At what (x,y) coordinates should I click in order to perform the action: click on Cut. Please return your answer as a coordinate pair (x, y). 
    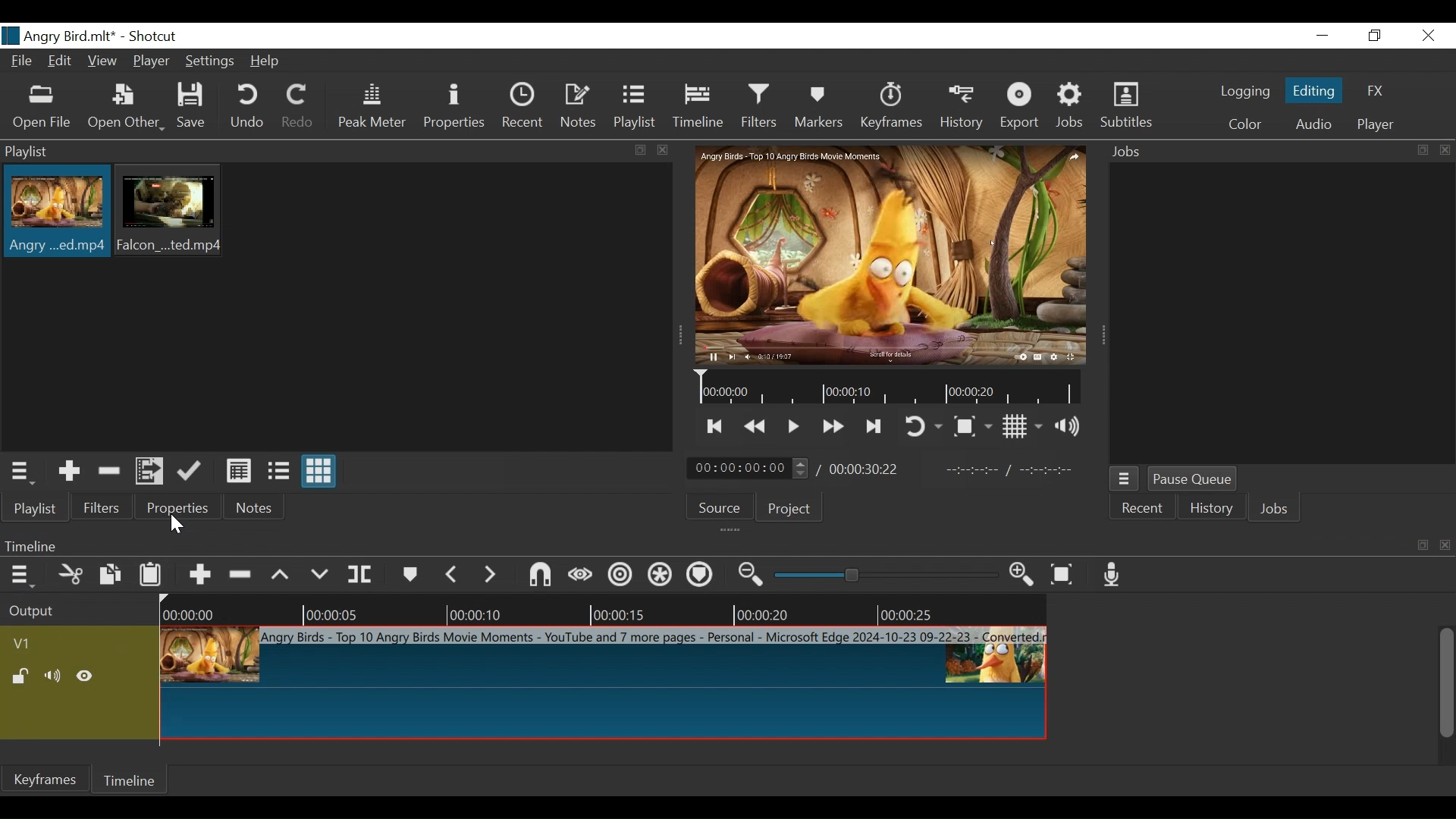
    Looking at the image, I should click on (71, 576).